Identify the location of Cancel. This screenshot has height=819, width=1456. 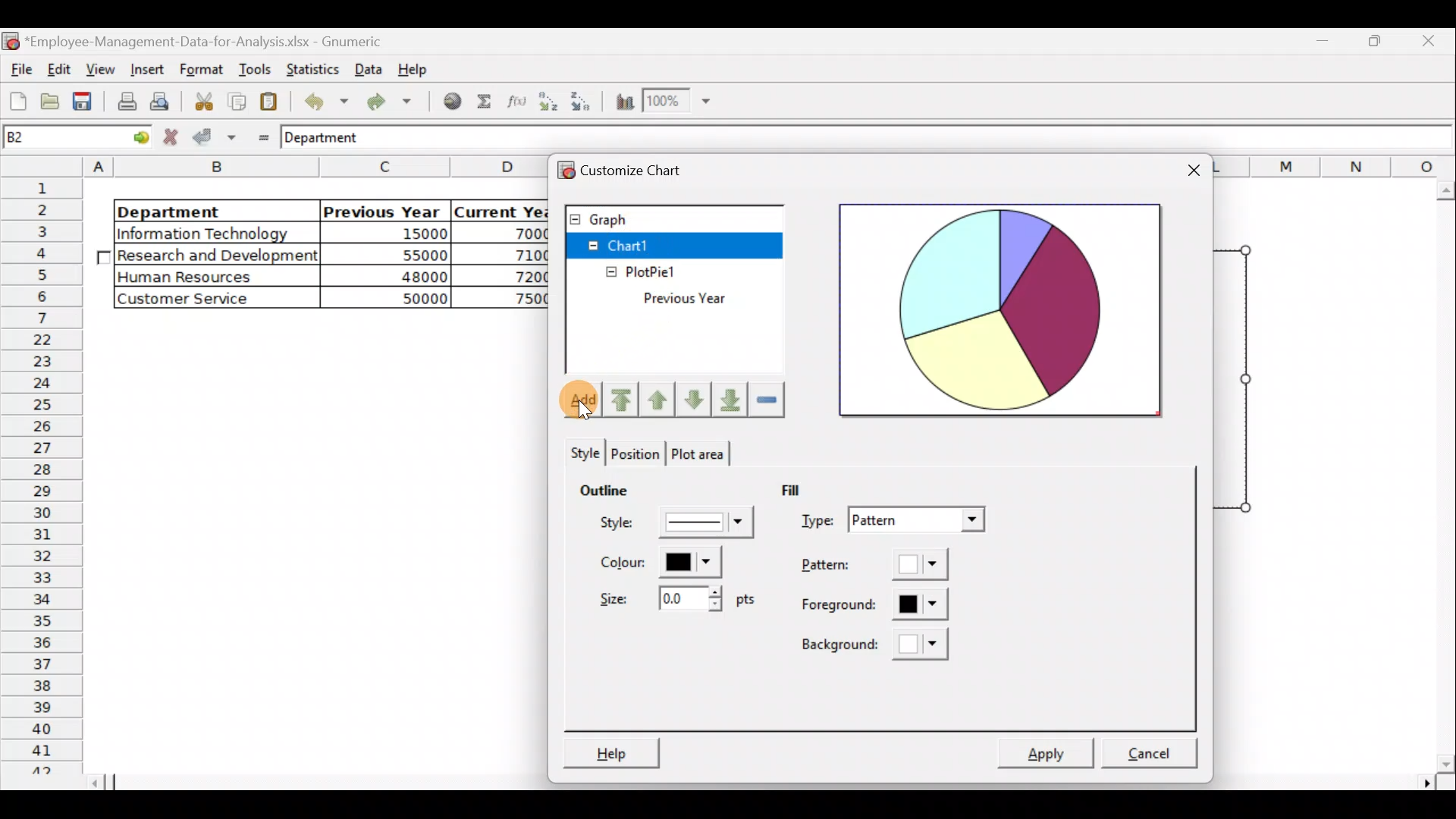
(1156, 746).